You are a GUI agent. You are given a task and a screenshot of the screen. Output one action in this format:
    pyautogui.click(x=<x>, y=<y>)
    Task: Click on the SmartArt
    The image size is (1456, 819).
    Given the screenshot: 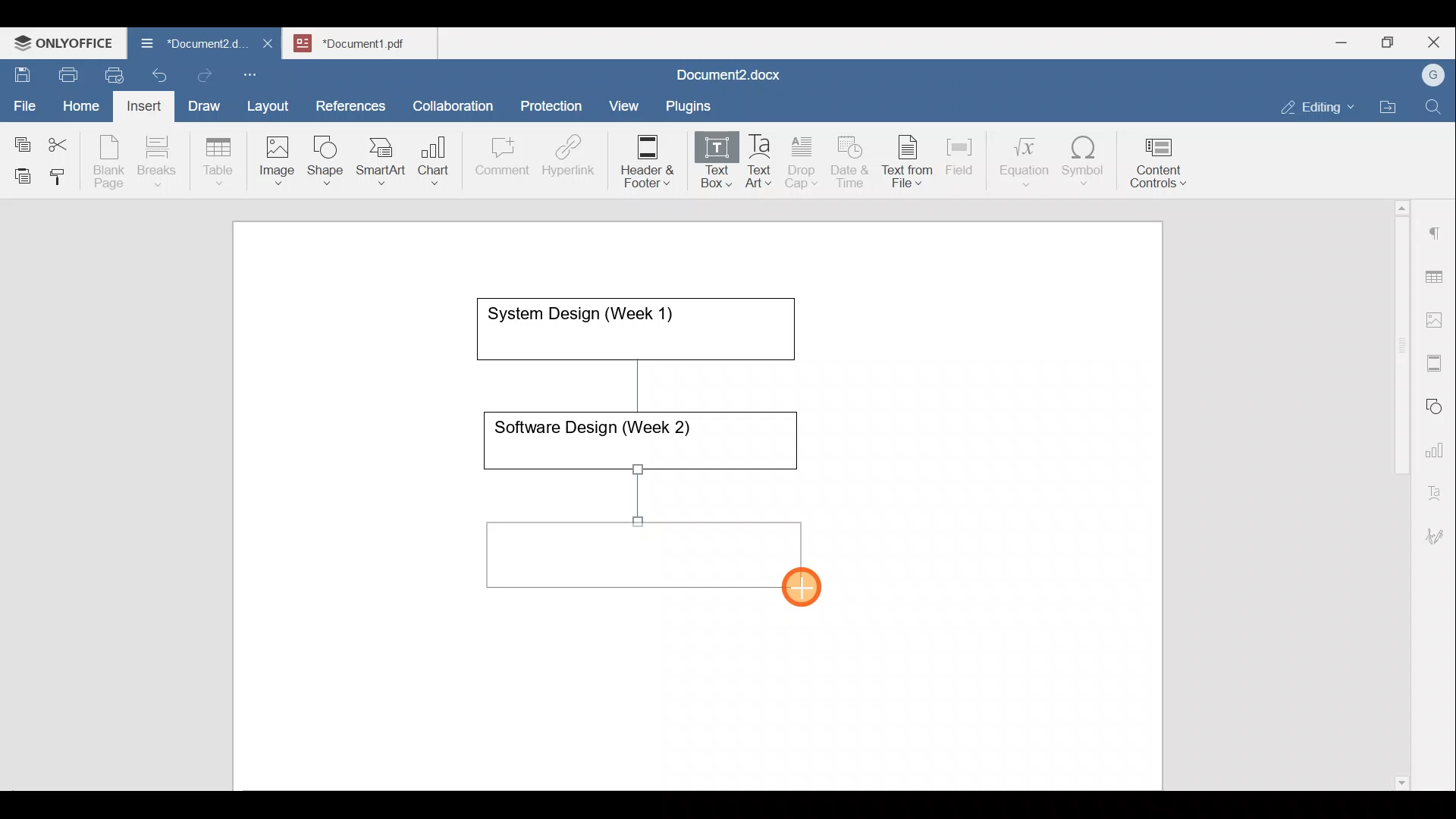 What is the action you would take?
    pyautogui.click(x=378, y=158)
    